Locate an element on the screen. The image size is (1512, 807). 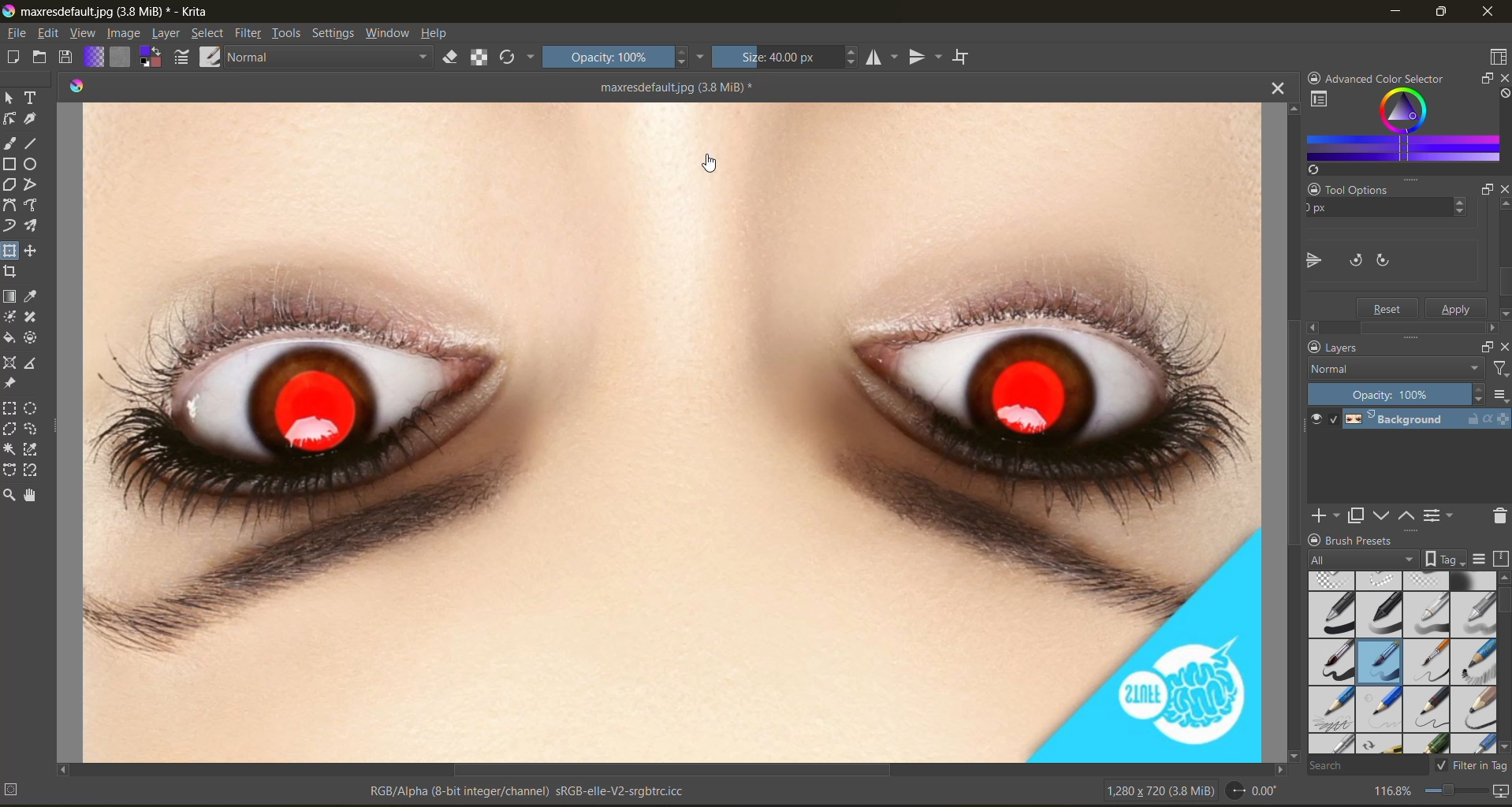
close docker is located at coordinates (1503, 80).